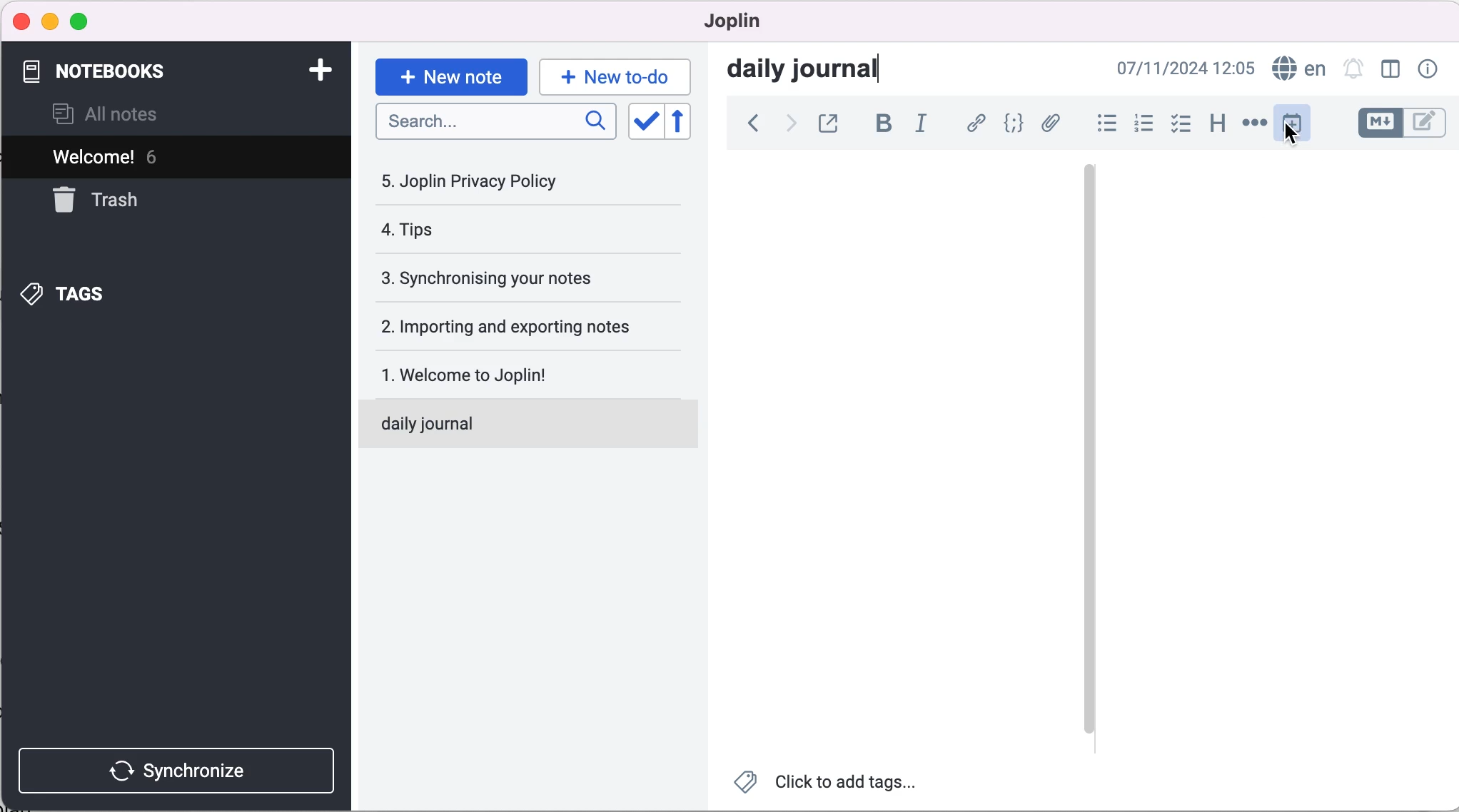 The width and height of the screenshot is (1459, 812). I want to click on forward, so click(789, 123).